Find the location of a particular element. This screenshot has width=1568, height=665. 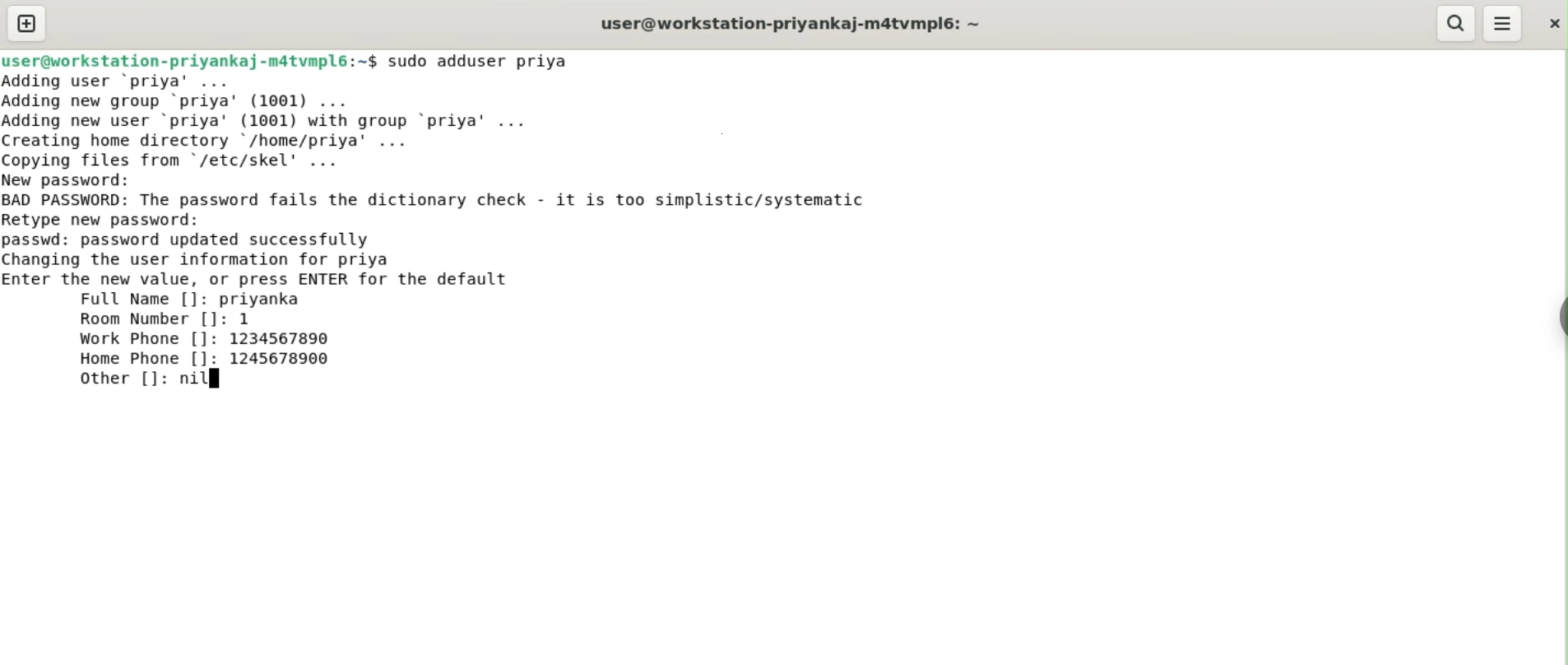

new password is located at coordinates (79, 179).